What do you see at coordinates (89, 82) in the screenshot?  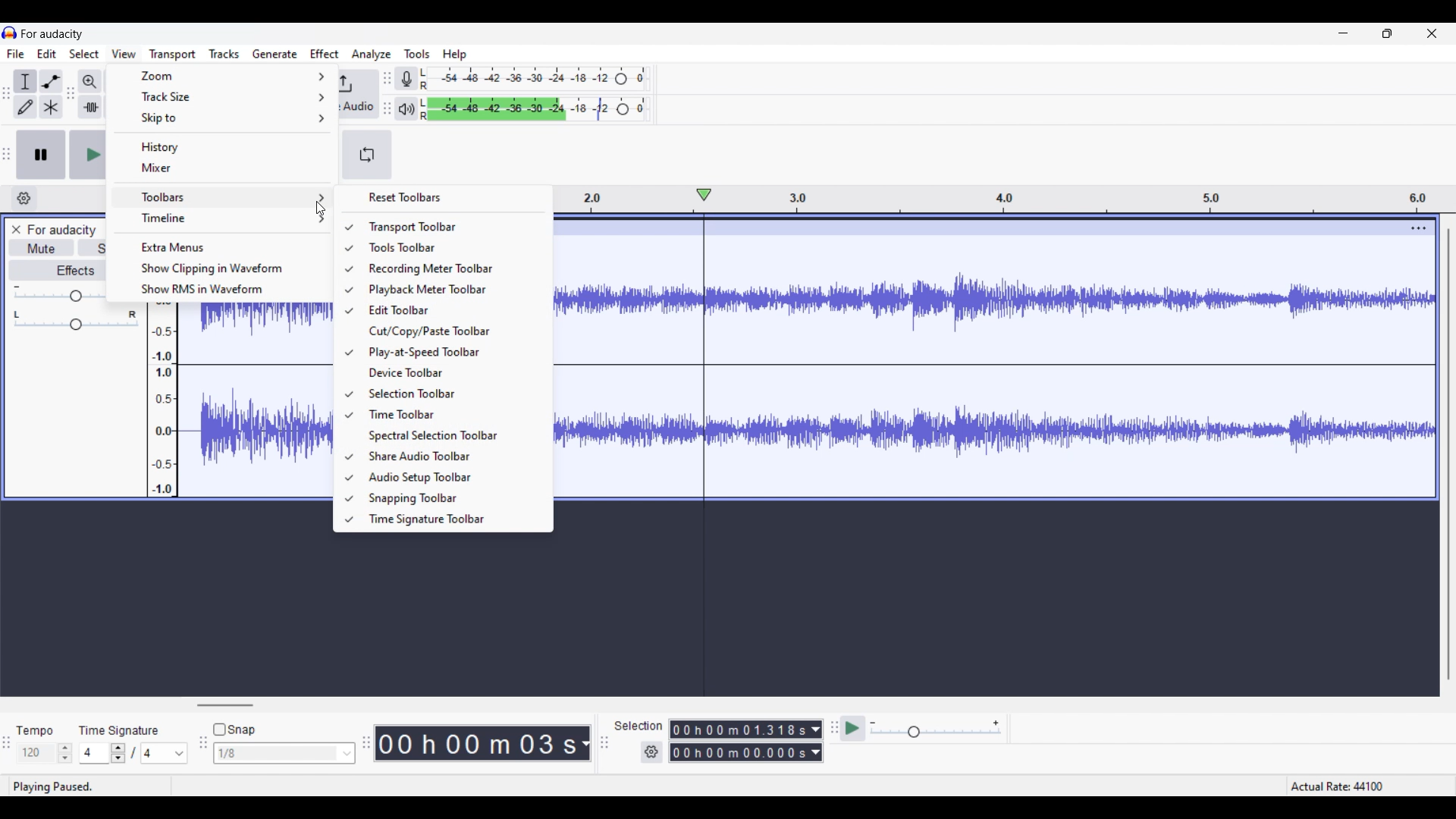 I see `Zoom in` at bounding box center [89, 82].